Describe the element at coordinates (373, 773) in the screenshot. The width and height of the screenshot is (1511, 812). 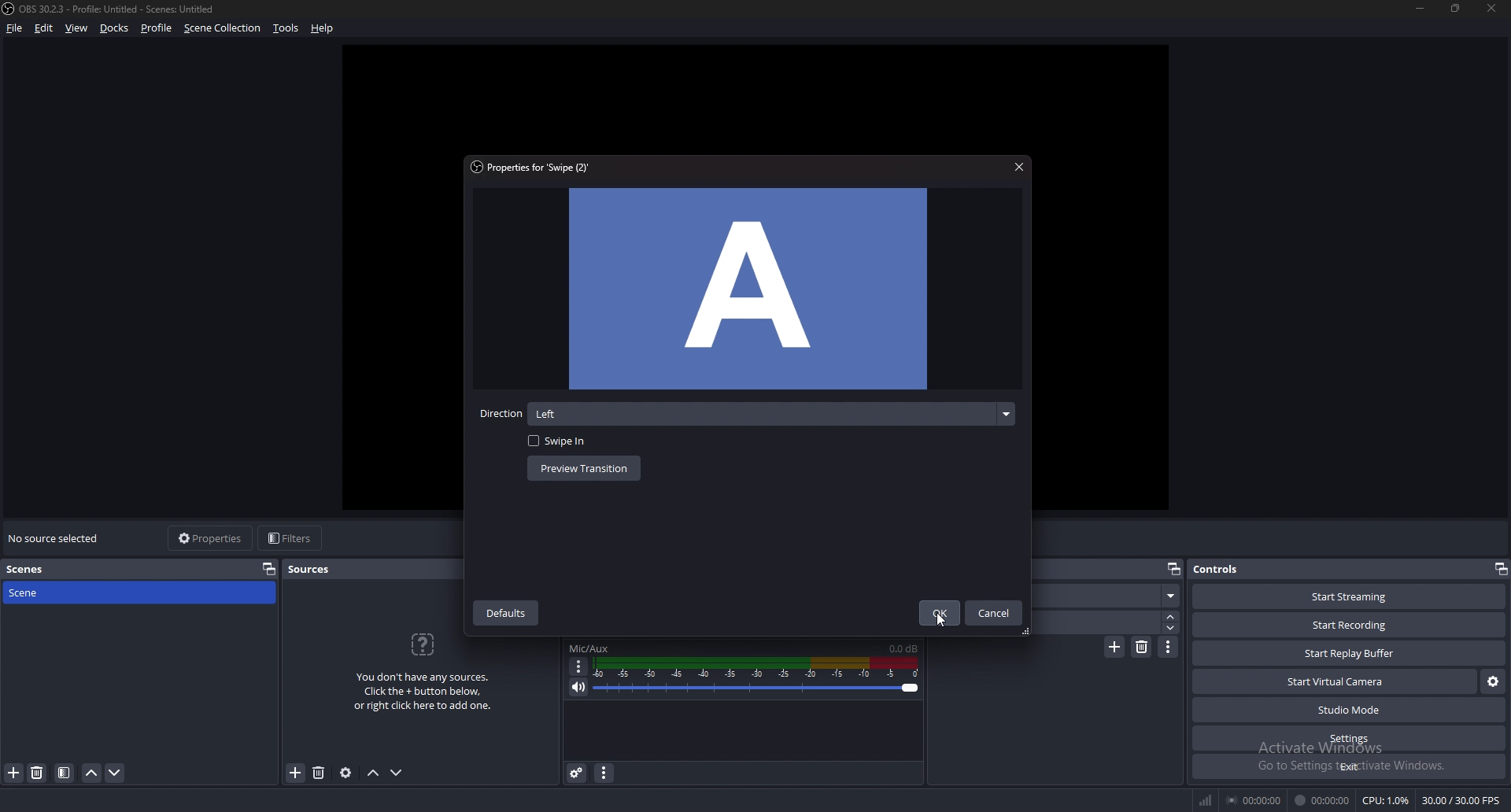
I see `move up` at that location.